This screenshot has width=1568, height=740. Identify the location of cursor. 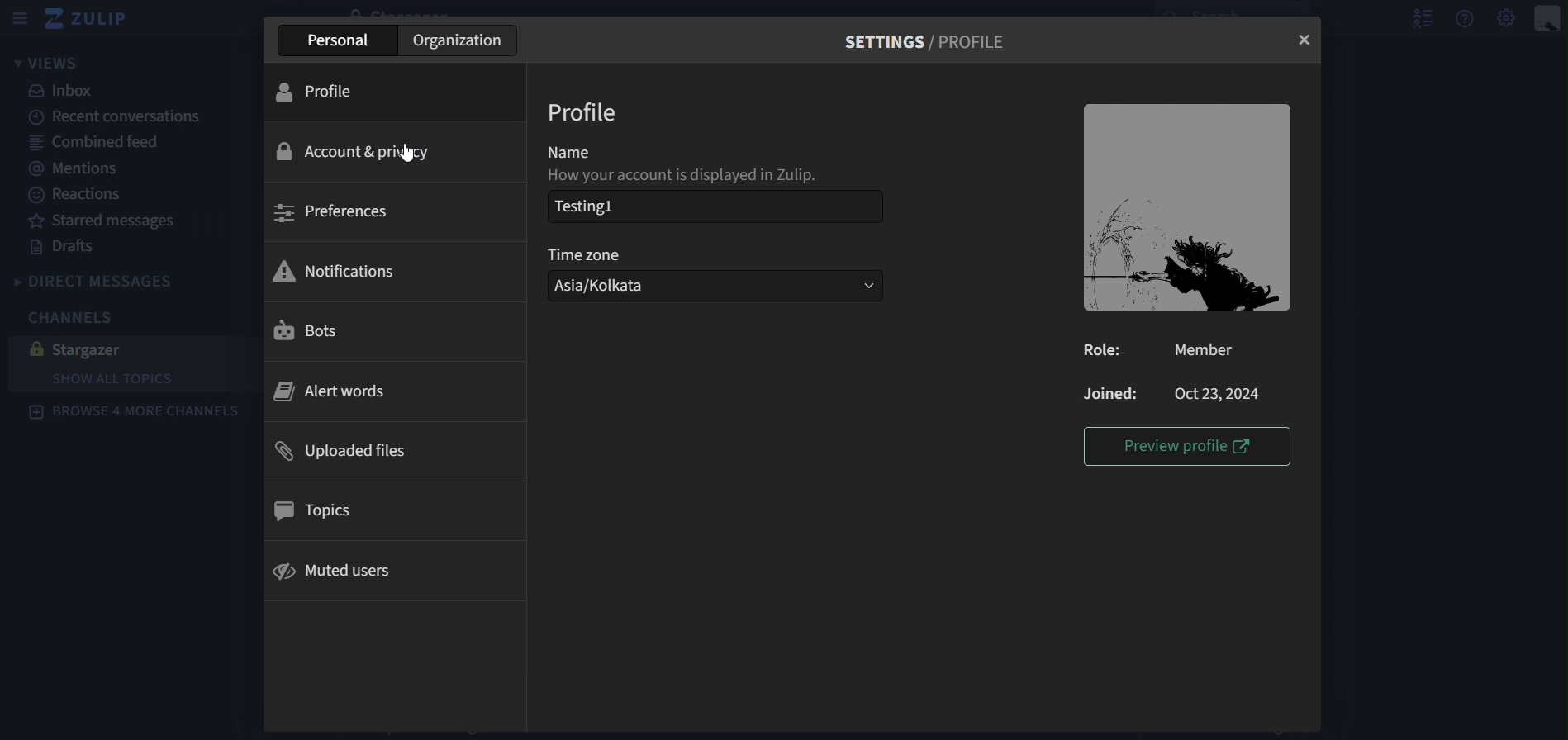
(412, 153).